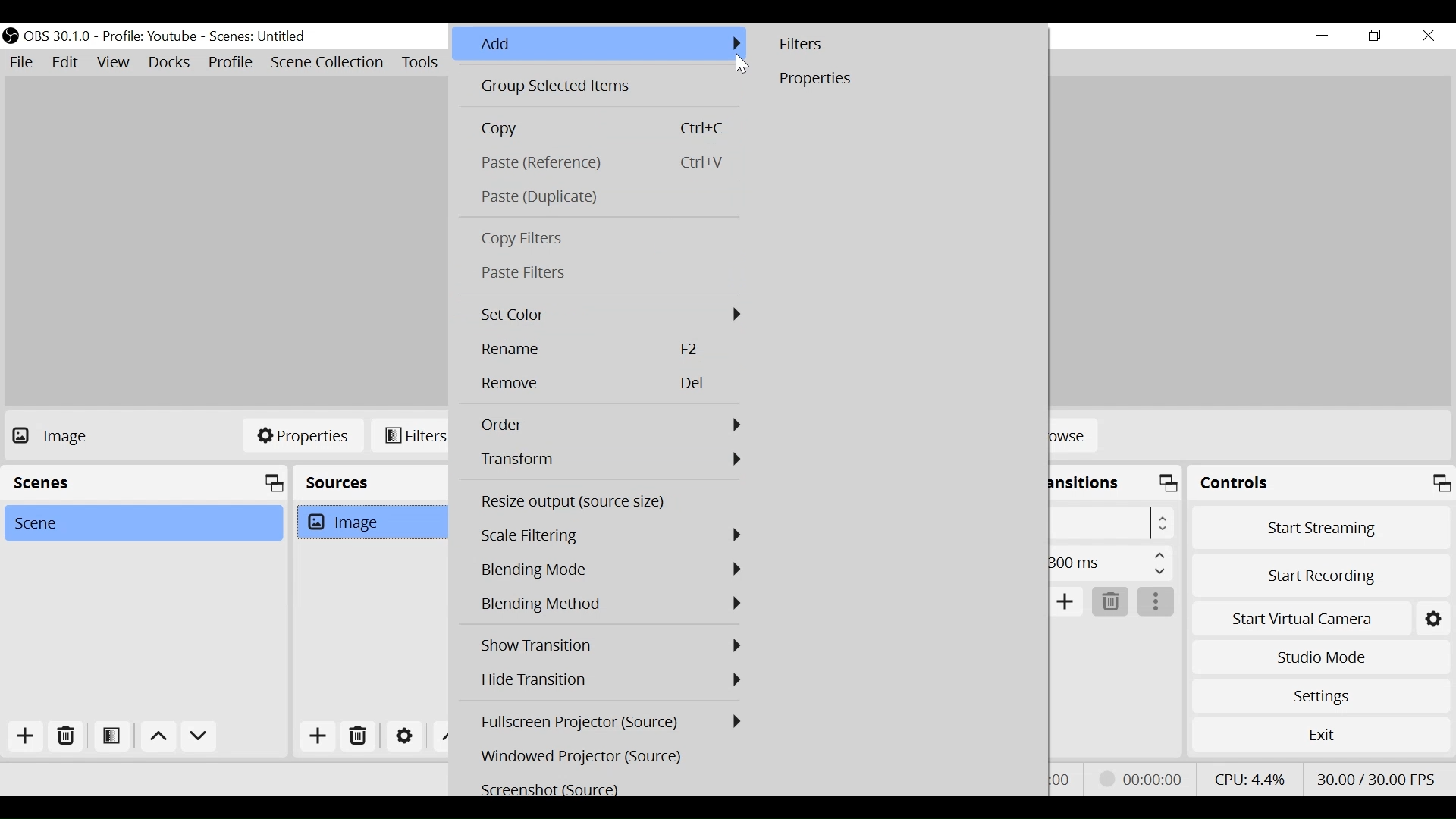 This screenshot has width=1456, height=819. I want to click on CPU Usage, so click(1254, 779).